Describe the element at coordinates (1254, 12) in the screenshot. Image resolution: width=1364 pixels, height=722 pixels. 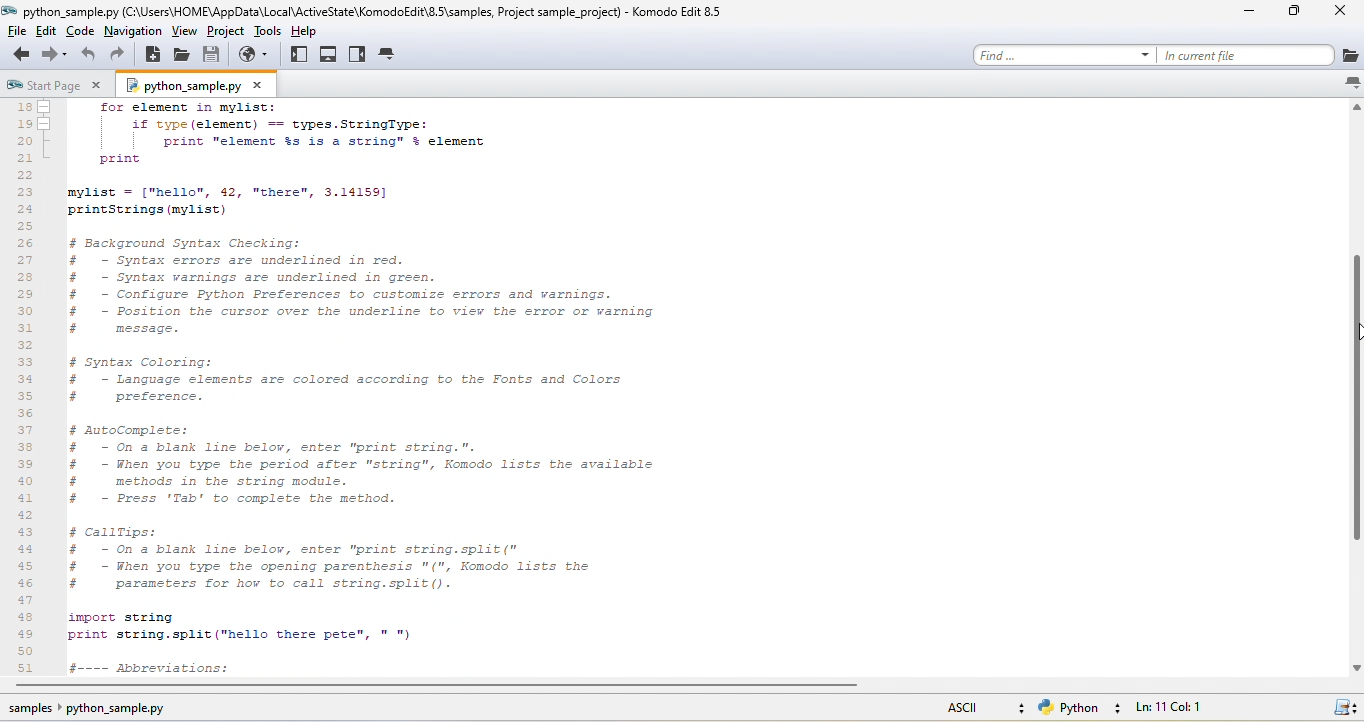
I see `minimize` at that location.